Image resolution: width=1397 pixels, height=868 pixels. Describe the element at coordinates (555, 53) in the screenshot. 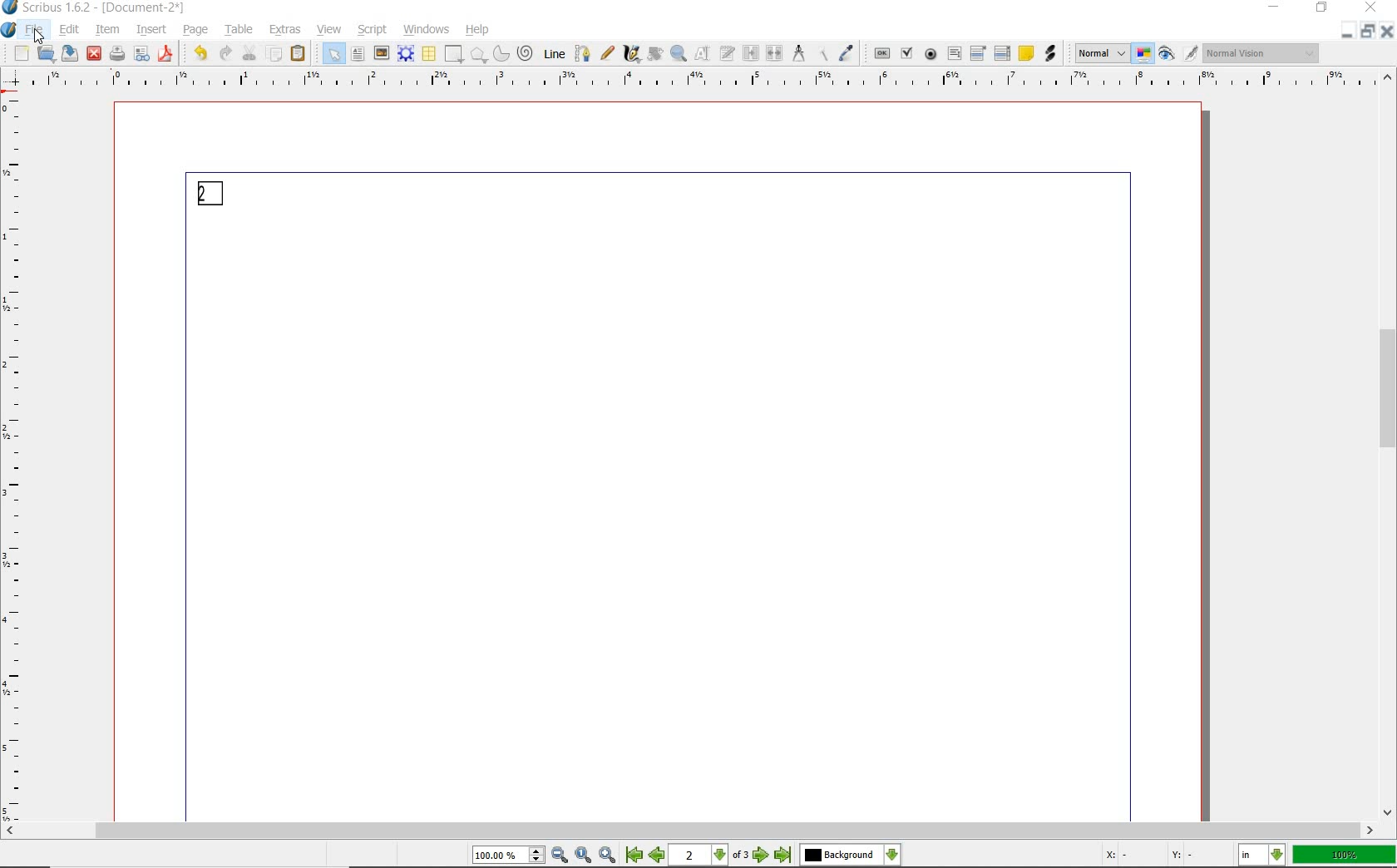

I see `line` at that location.